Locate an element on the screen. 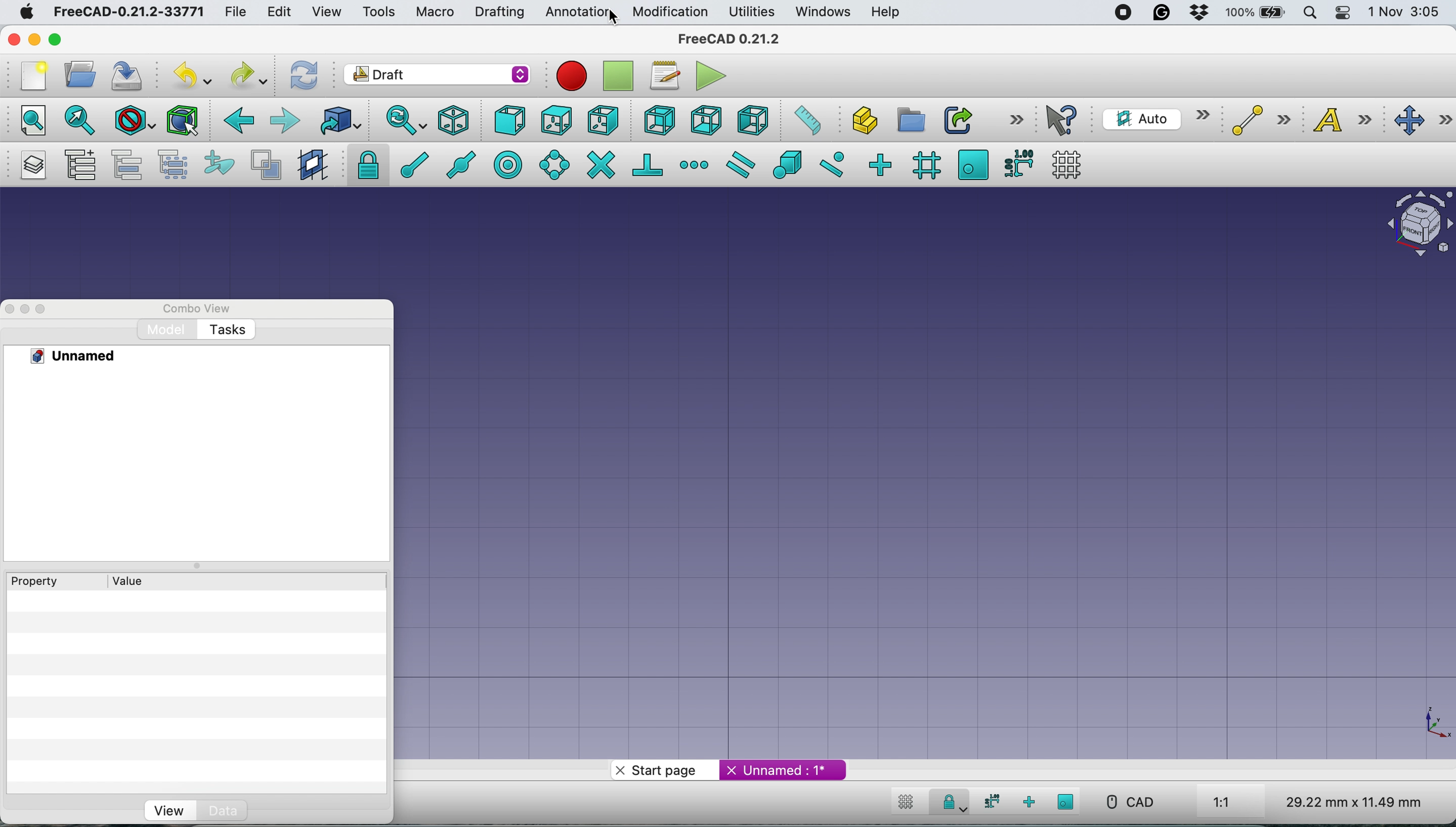 The image size is (1456, 827). create object is located at coordinates (856, 120).